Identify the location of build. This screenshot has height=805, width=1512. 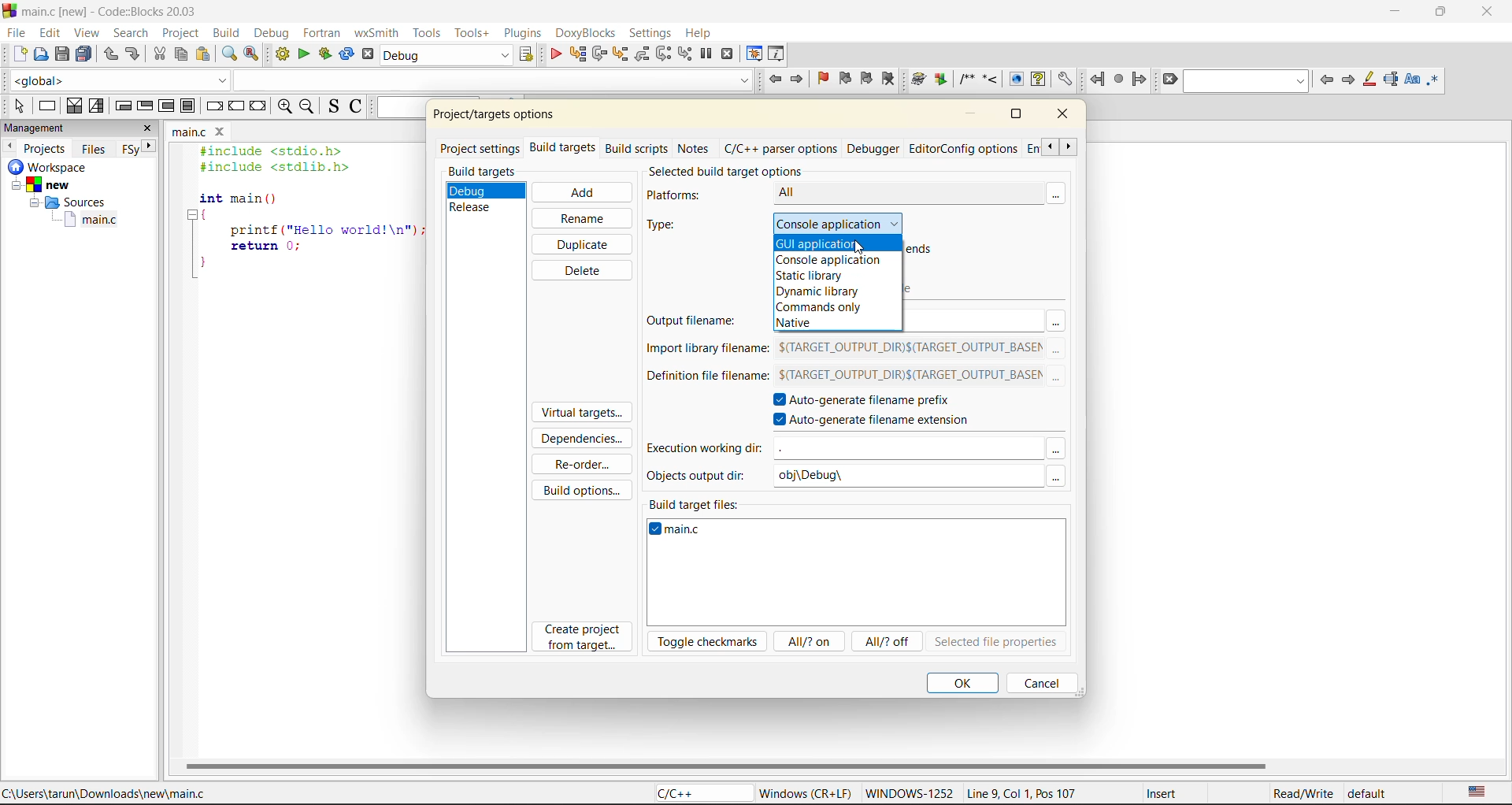
(229, 31).